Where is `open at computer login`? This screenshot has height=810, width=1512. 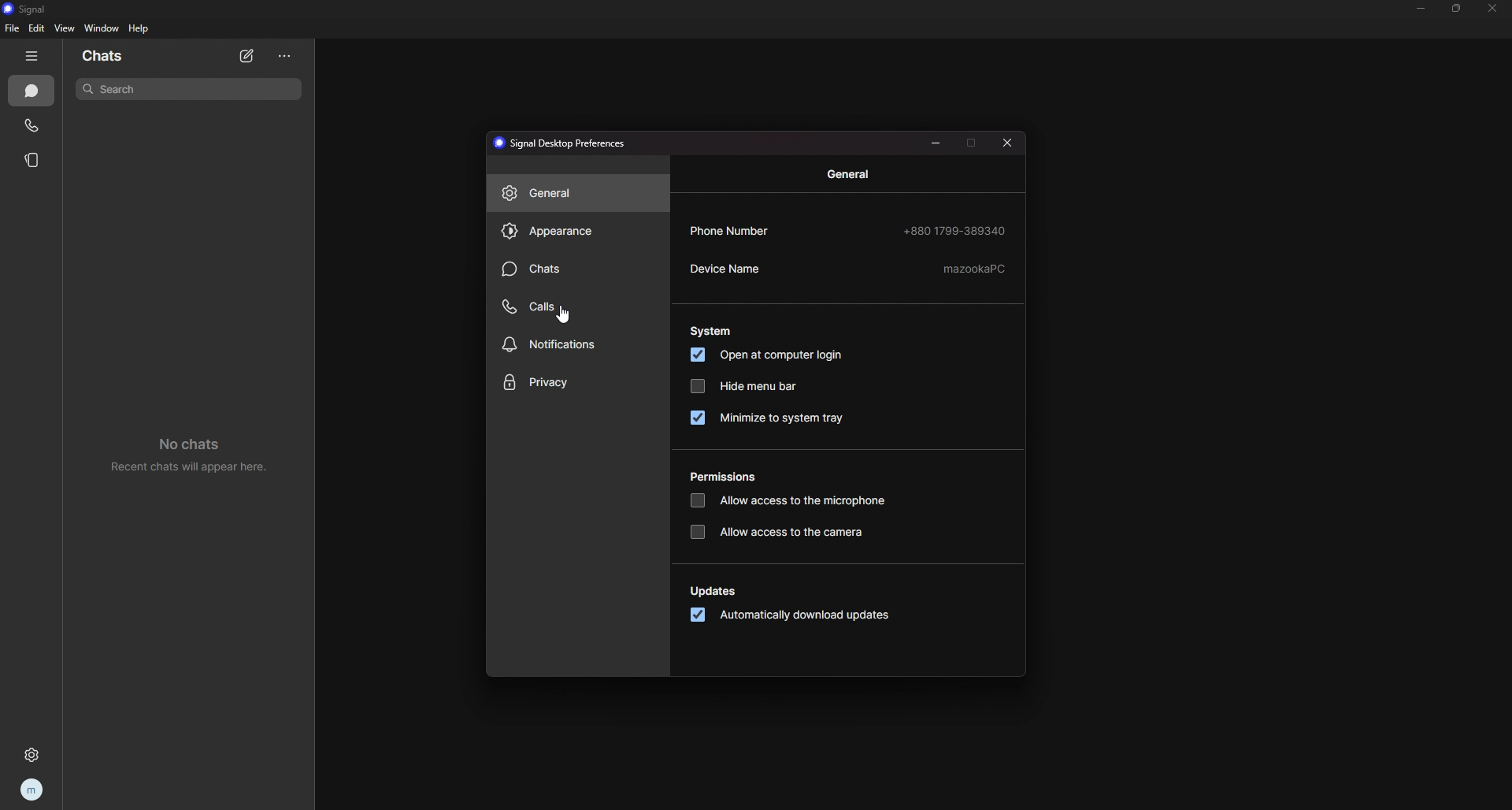 open at computer login is located at coordinates (777, 355).